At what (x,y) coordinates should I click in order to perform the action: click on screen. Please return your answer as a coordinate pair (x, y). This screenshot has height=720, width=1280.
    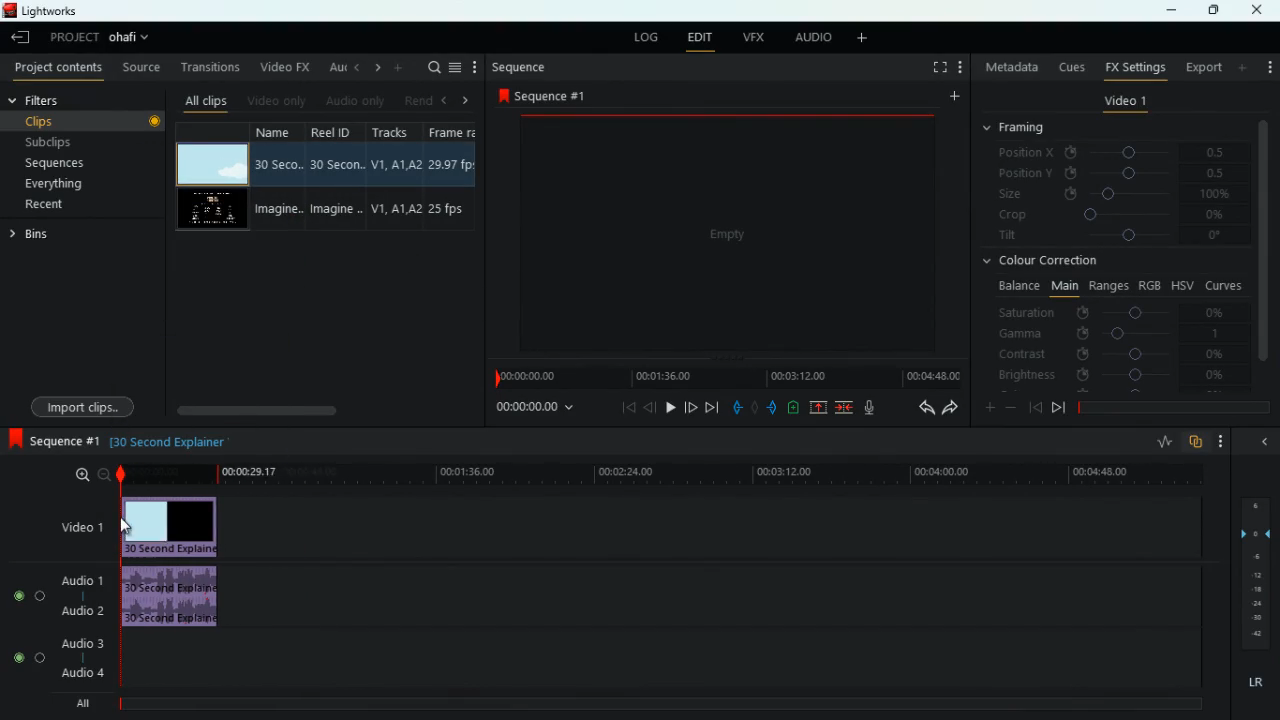
    Looking at the image, I should click on (211, 210).